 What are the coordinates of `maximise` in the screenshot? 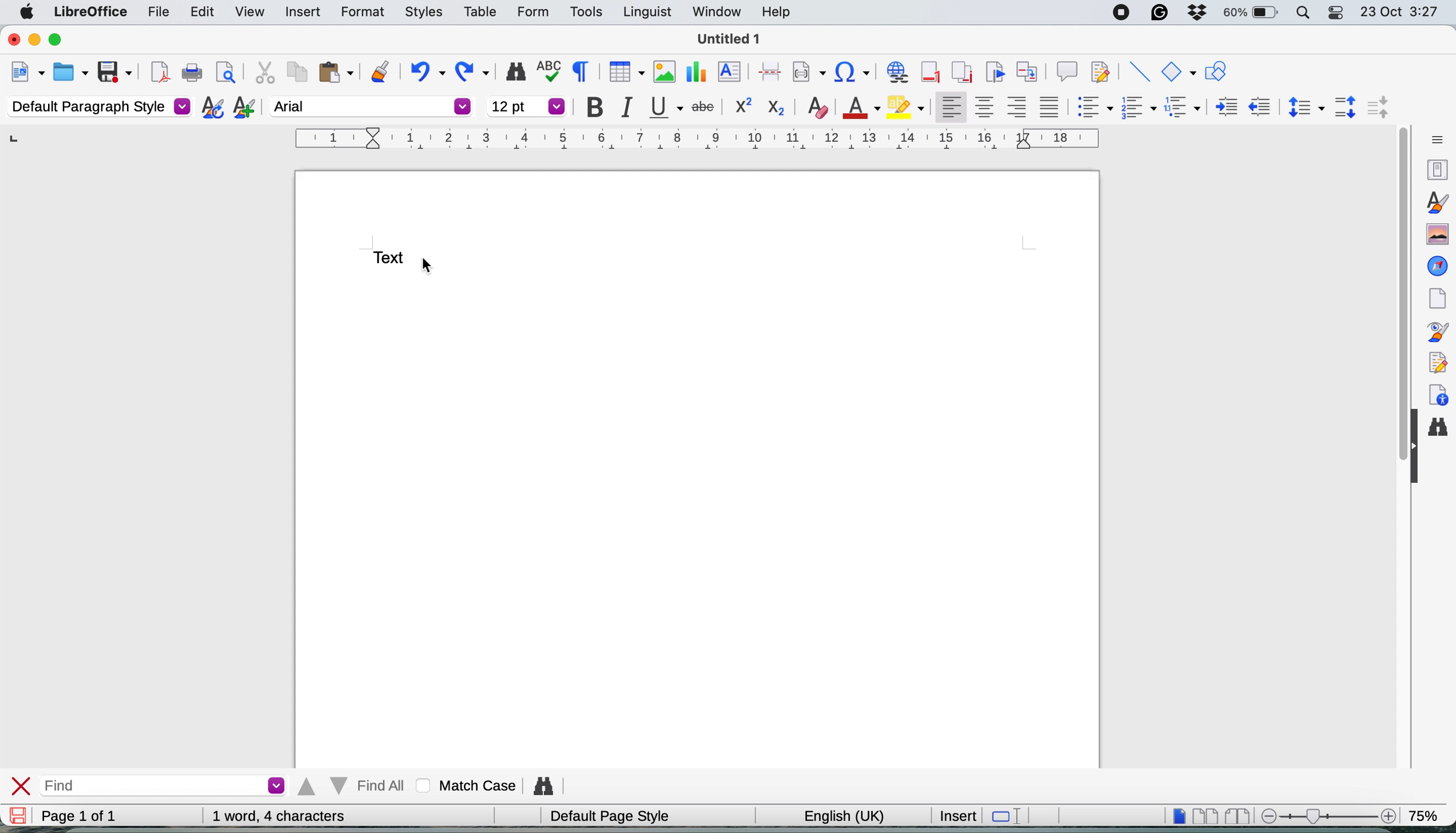 It's located at (62, 41).